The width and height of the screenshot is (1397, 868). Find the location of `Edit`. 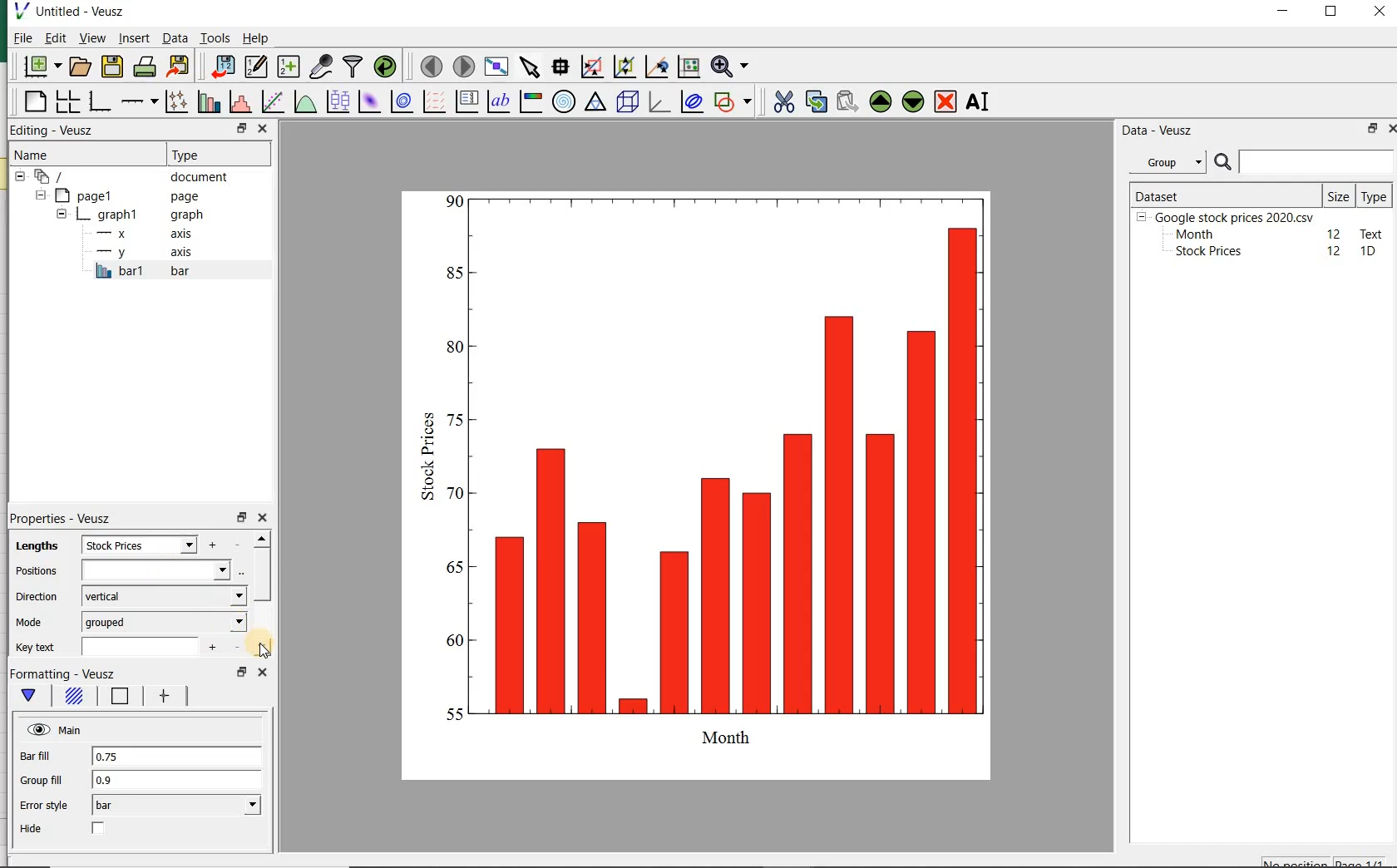

Edit is located at coordinates (54, 37).